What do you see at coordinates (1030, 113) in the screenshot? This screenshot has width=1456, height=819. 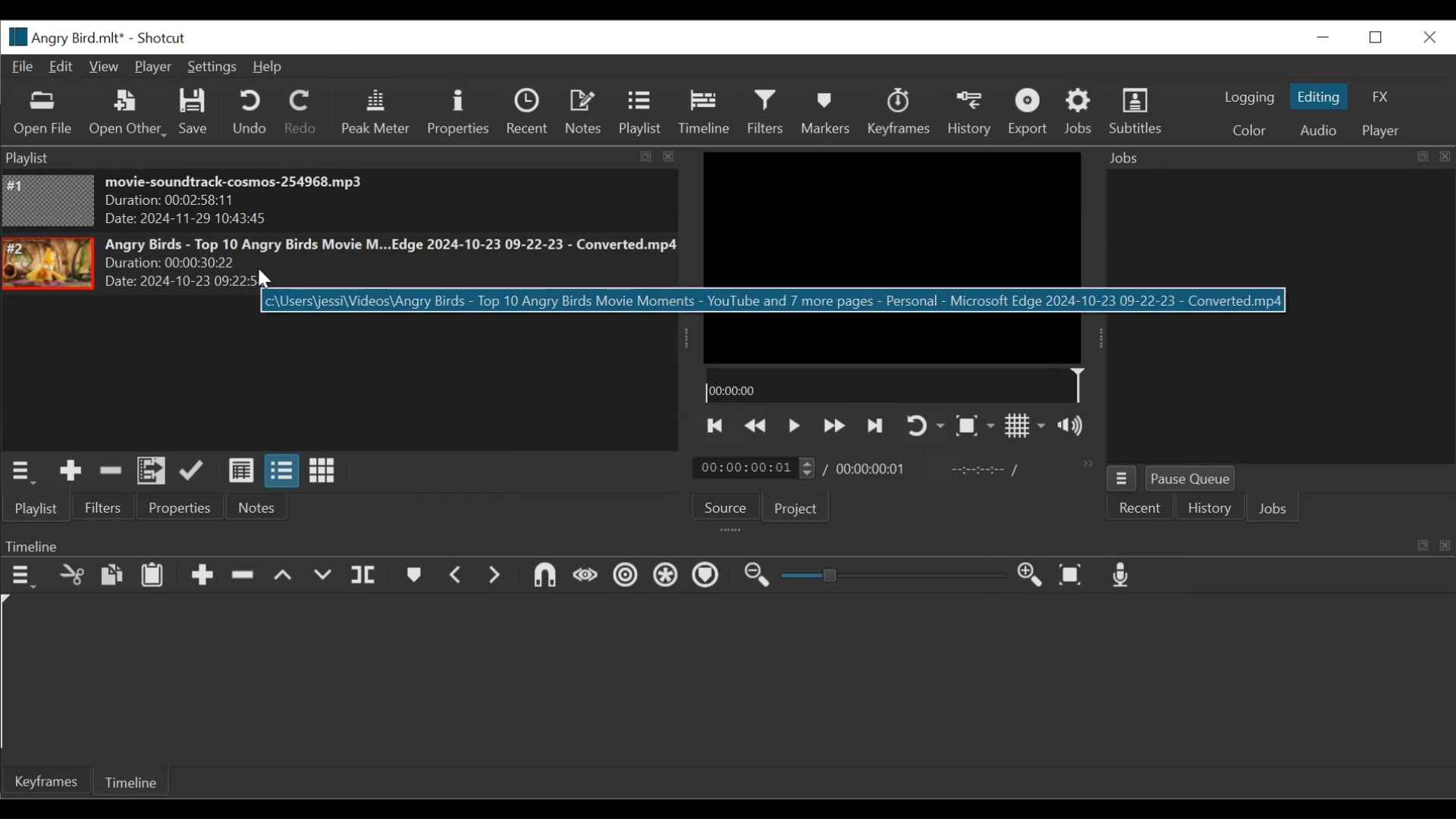 I see `Exort` at bounding box center [1030, 113].